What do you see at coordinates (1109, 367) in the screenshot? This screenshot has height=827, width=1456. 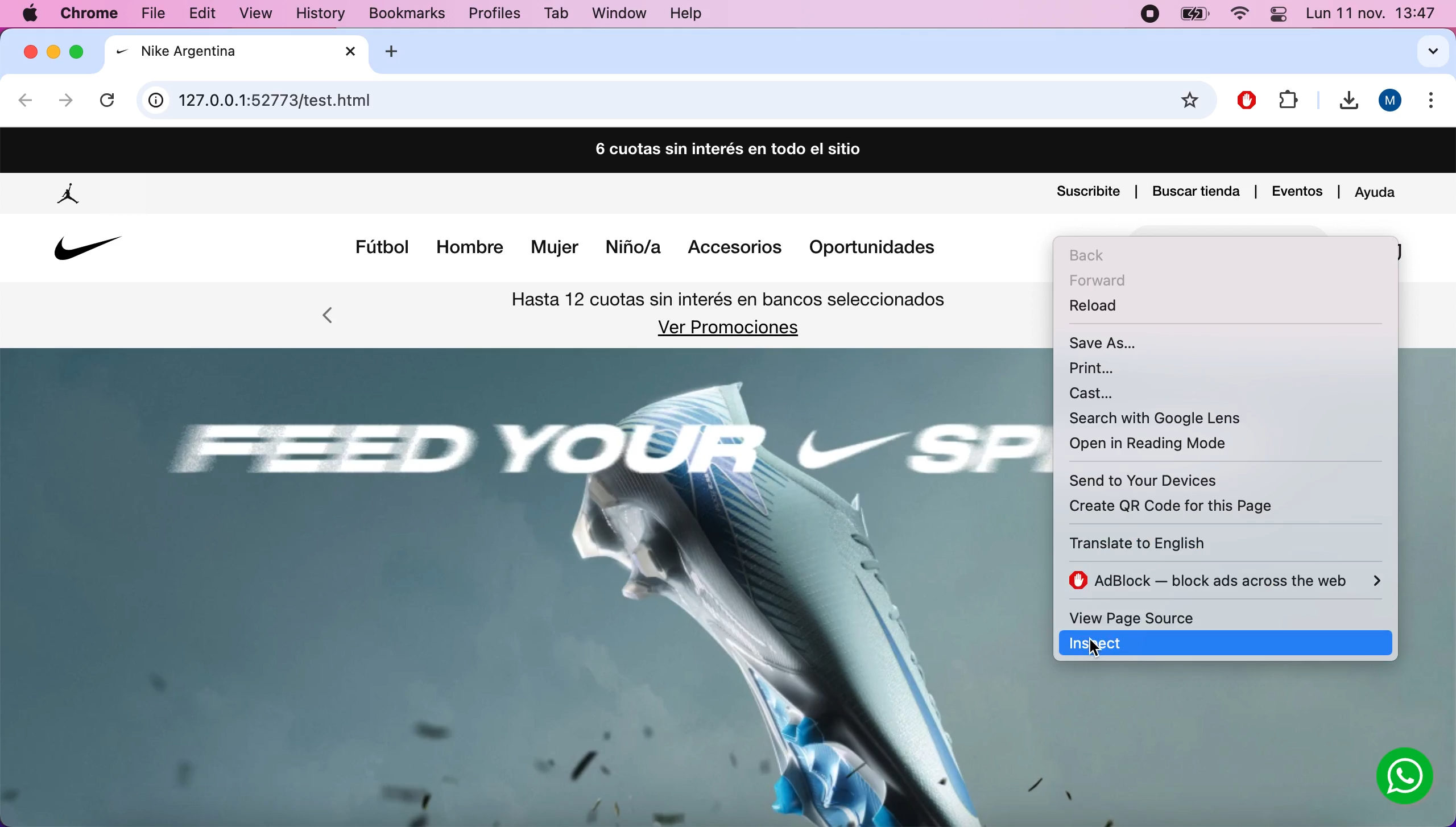 I see `print` at bounding box center [1109, 367].